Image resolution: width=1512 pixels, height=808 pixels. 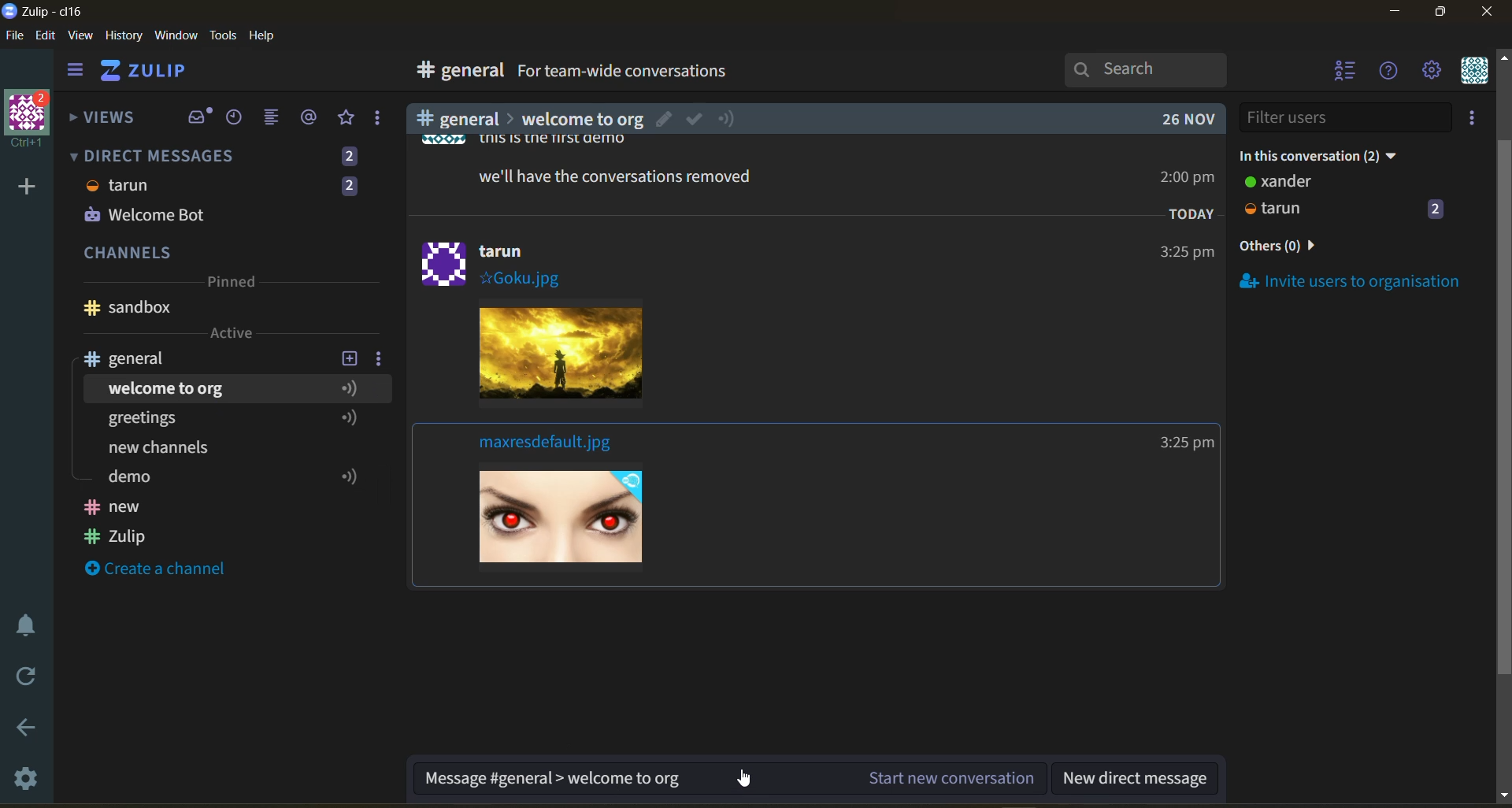 What do you see at coordinates (1473, 72) in the screenshot?
I see `personal menu` at bounding box center [1473, 72].